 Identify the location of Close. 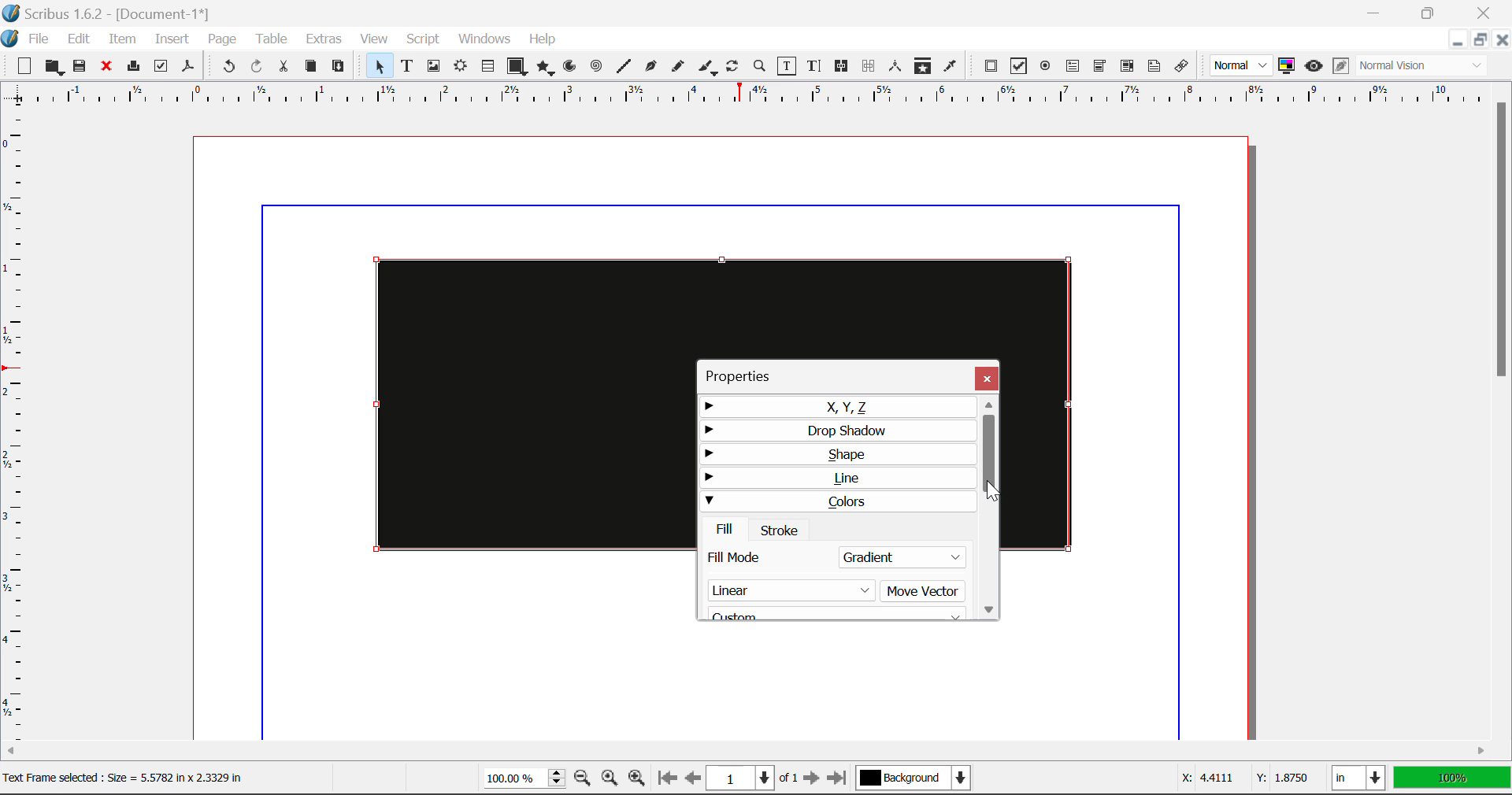
(1487, 11).